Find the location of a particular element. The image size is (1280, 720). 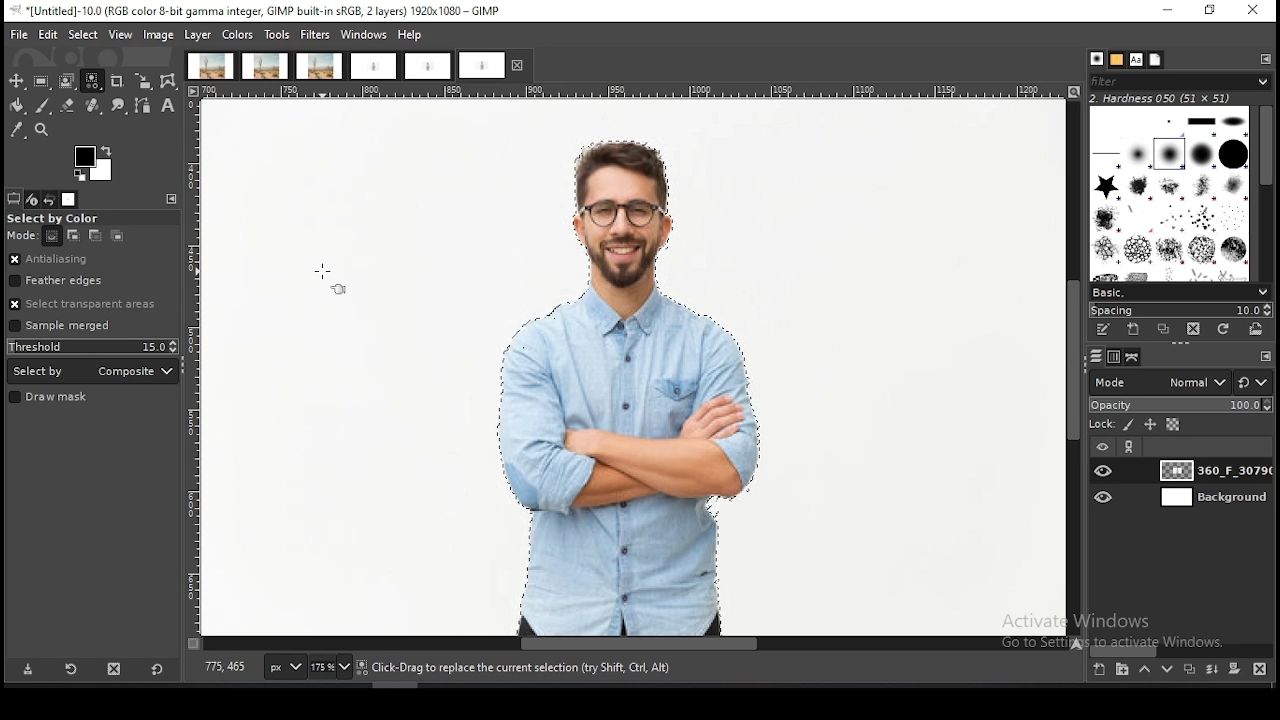

paths tool is located at coordinates (145, 107).